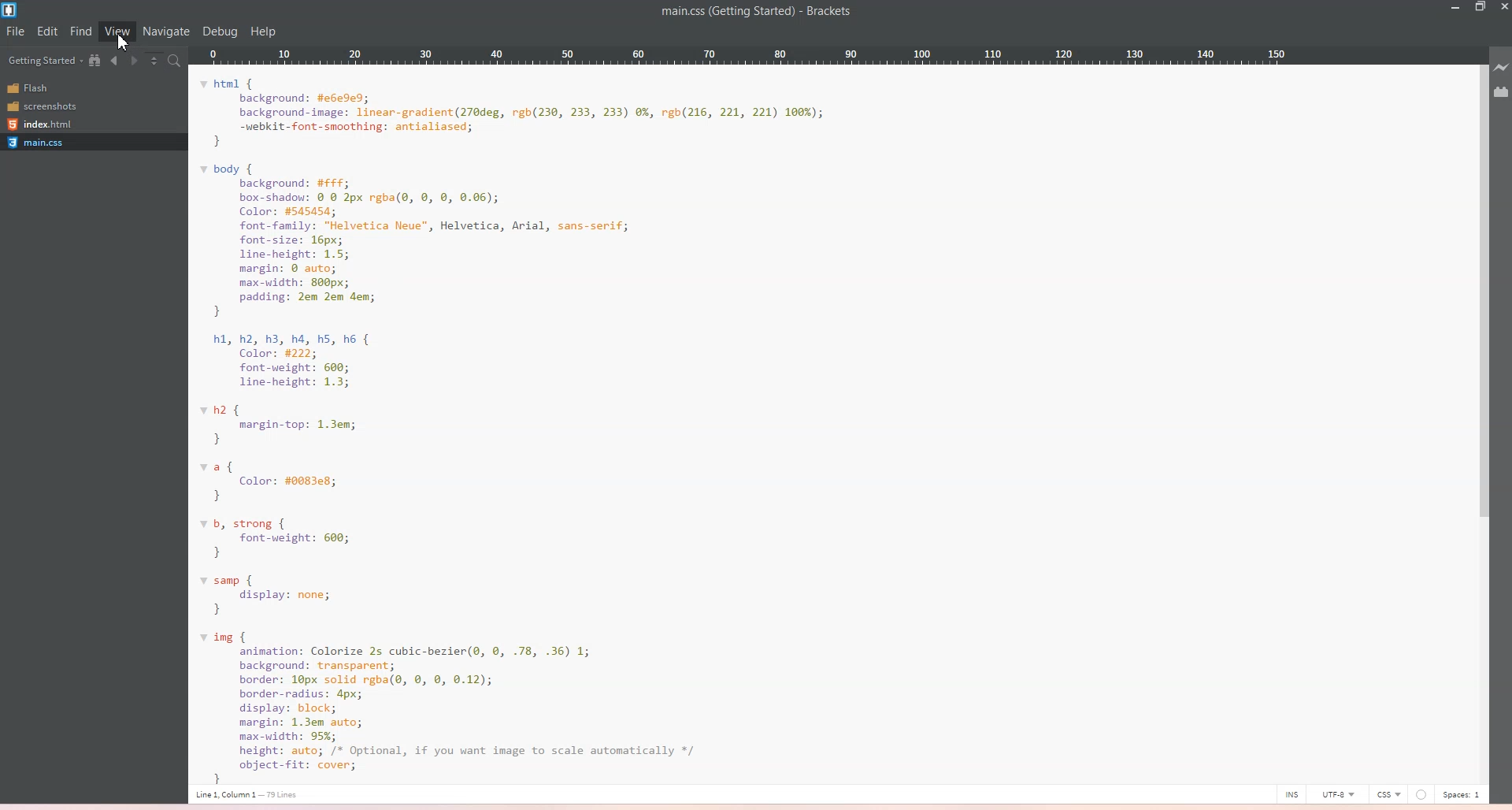 The image size is (1512, 810). I want to click on Spaces: 1, so click(1464, 795).